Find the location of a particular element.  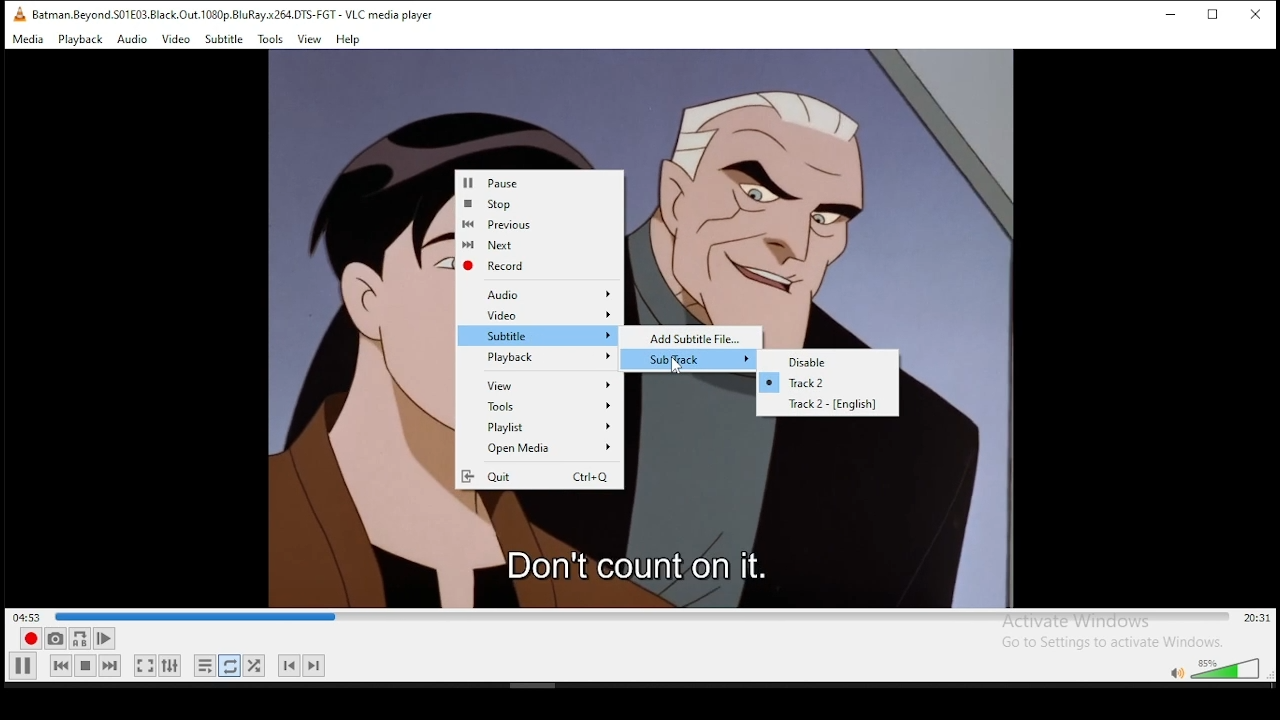

Playlist  is located at coordinates (543, 429).